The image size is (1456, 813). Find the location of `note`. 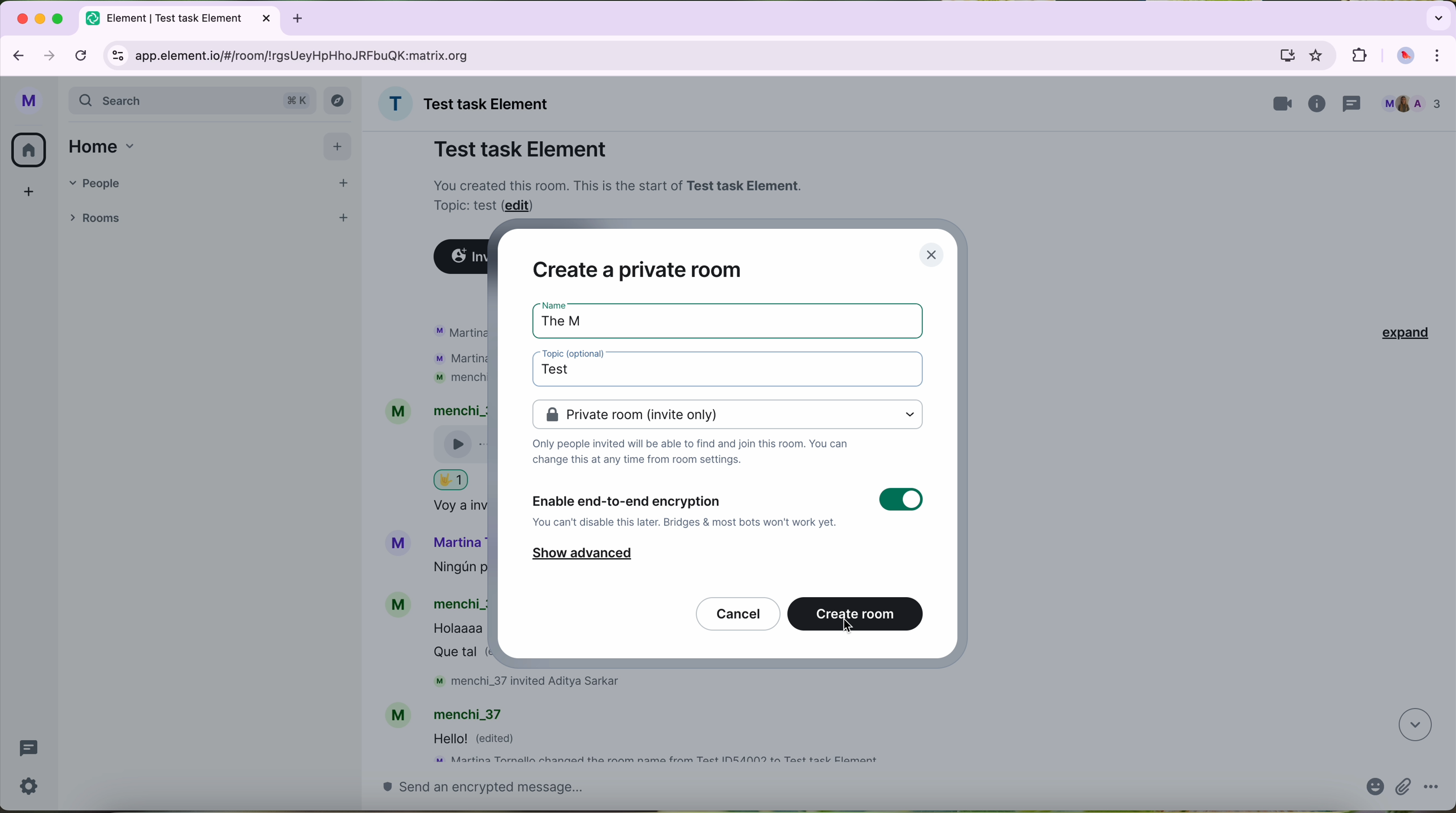

note is located at coordinates (621, 194).